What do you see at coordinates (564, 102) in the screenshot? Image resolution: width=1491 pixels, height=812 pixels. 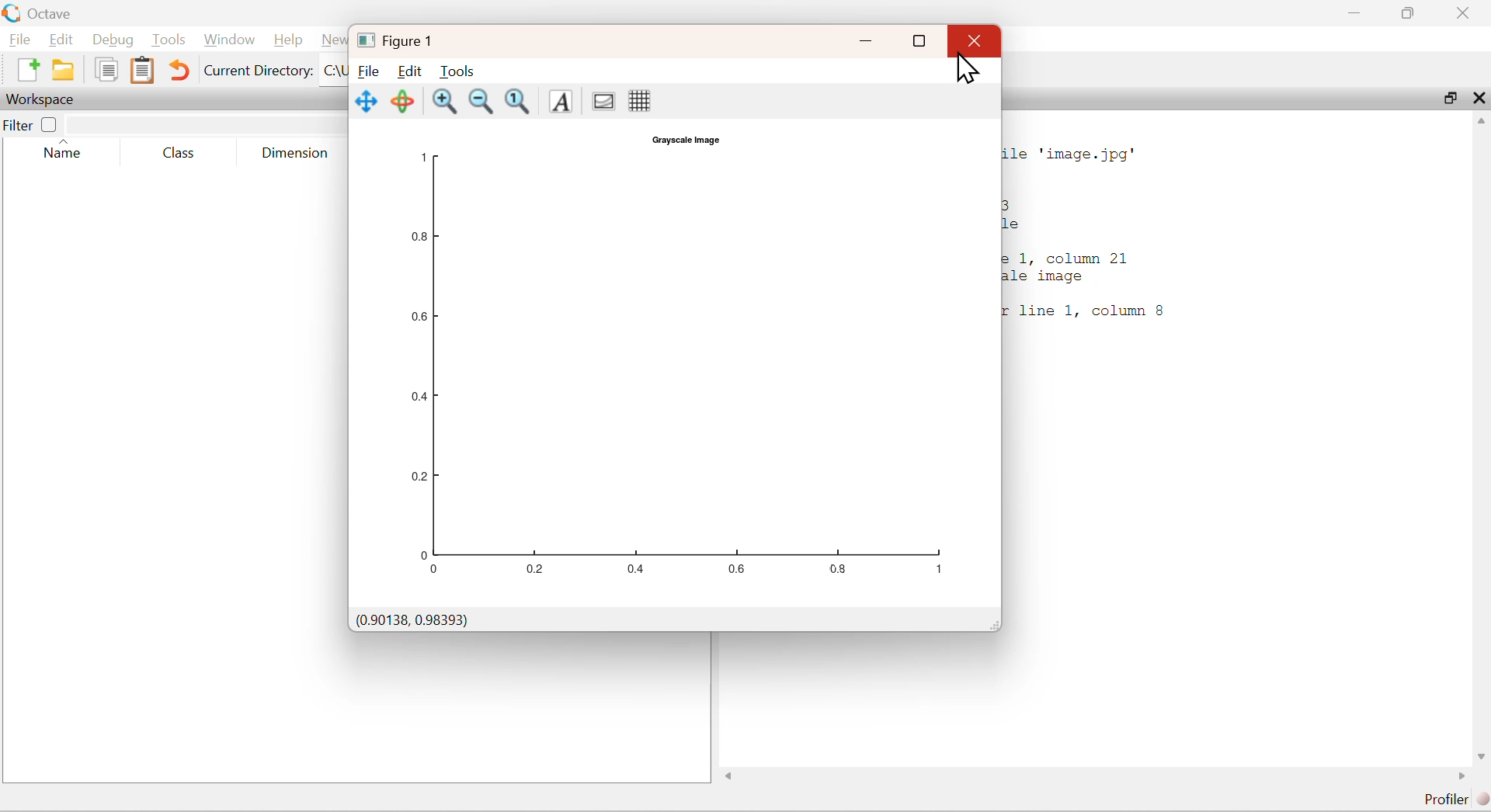 I see `Insert Text` at bounding box center [564, 102].